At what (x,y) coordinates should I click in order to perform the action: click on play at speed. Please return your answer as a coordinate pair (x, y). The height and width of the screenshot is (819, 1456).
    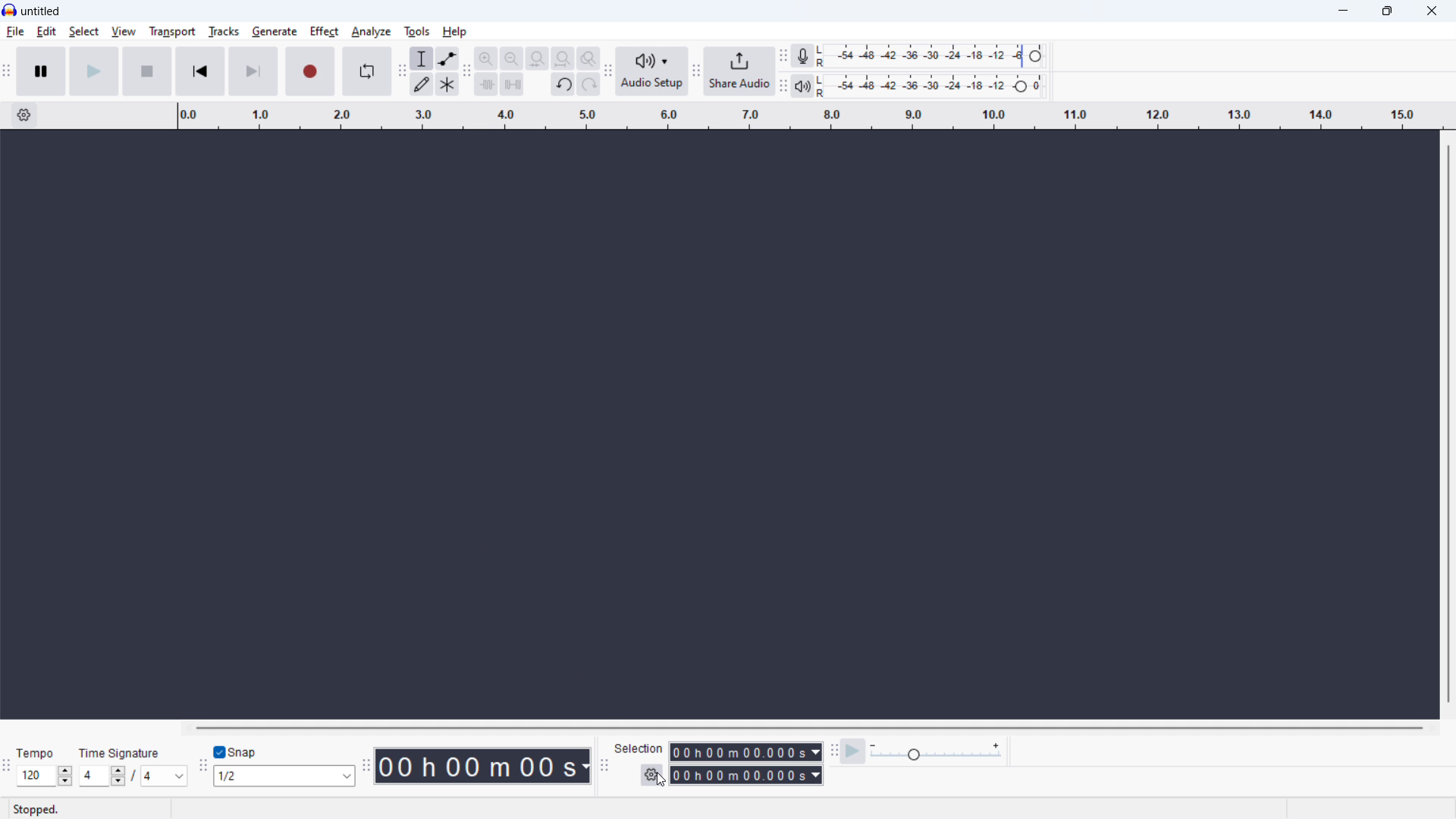
    Looking at the image, I should click on (852, 751).